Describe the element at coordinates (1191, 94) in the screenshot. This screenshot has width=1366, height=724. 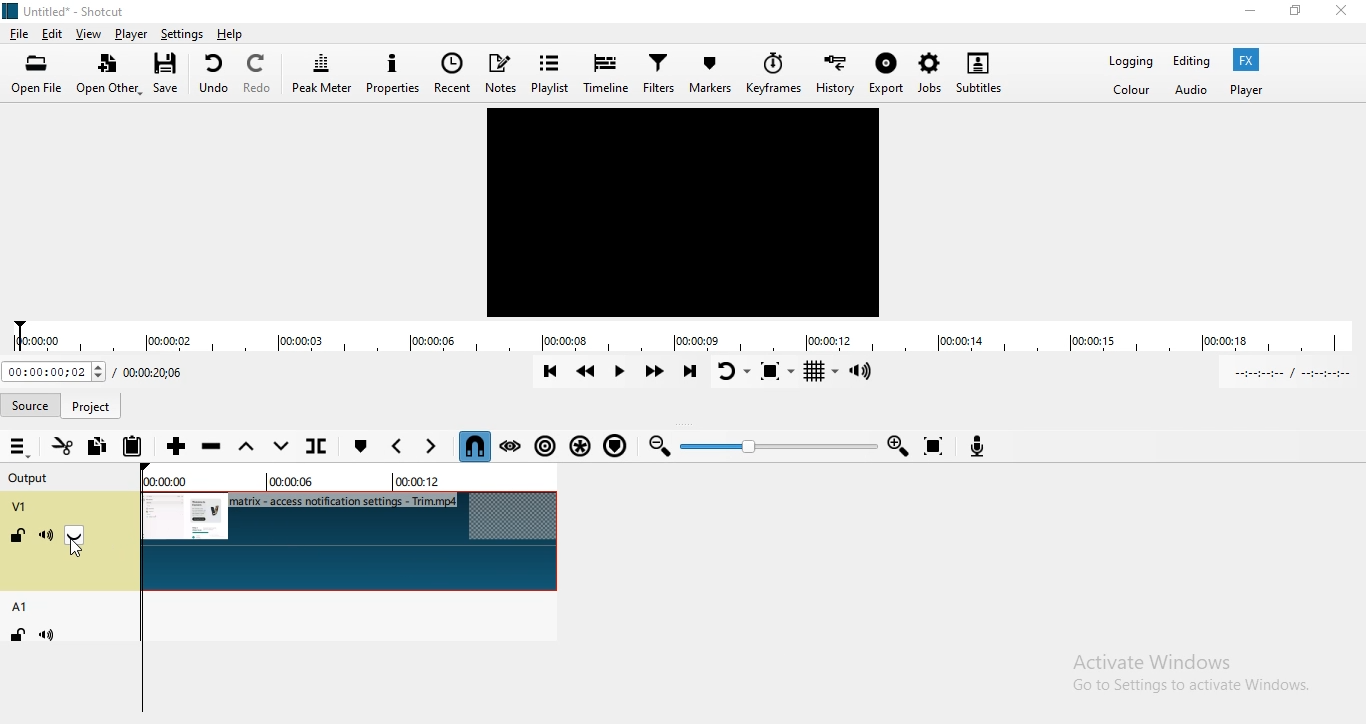
I see `Audio` at that location.